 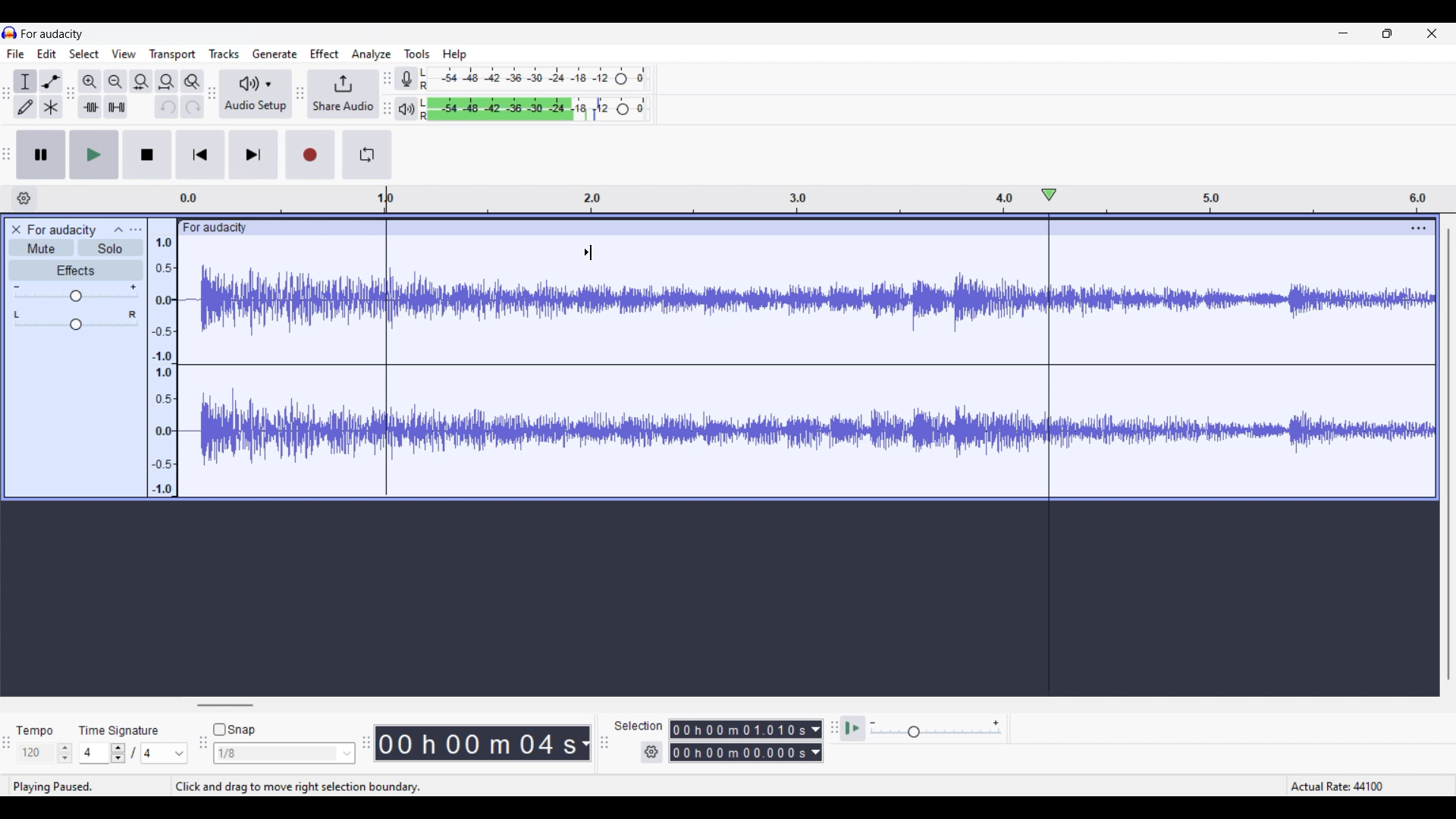 What do you see at coordinates (477, 743) in the screenshot?
I see `00 h 00 m 07 s` at bounding box center [477, 743].